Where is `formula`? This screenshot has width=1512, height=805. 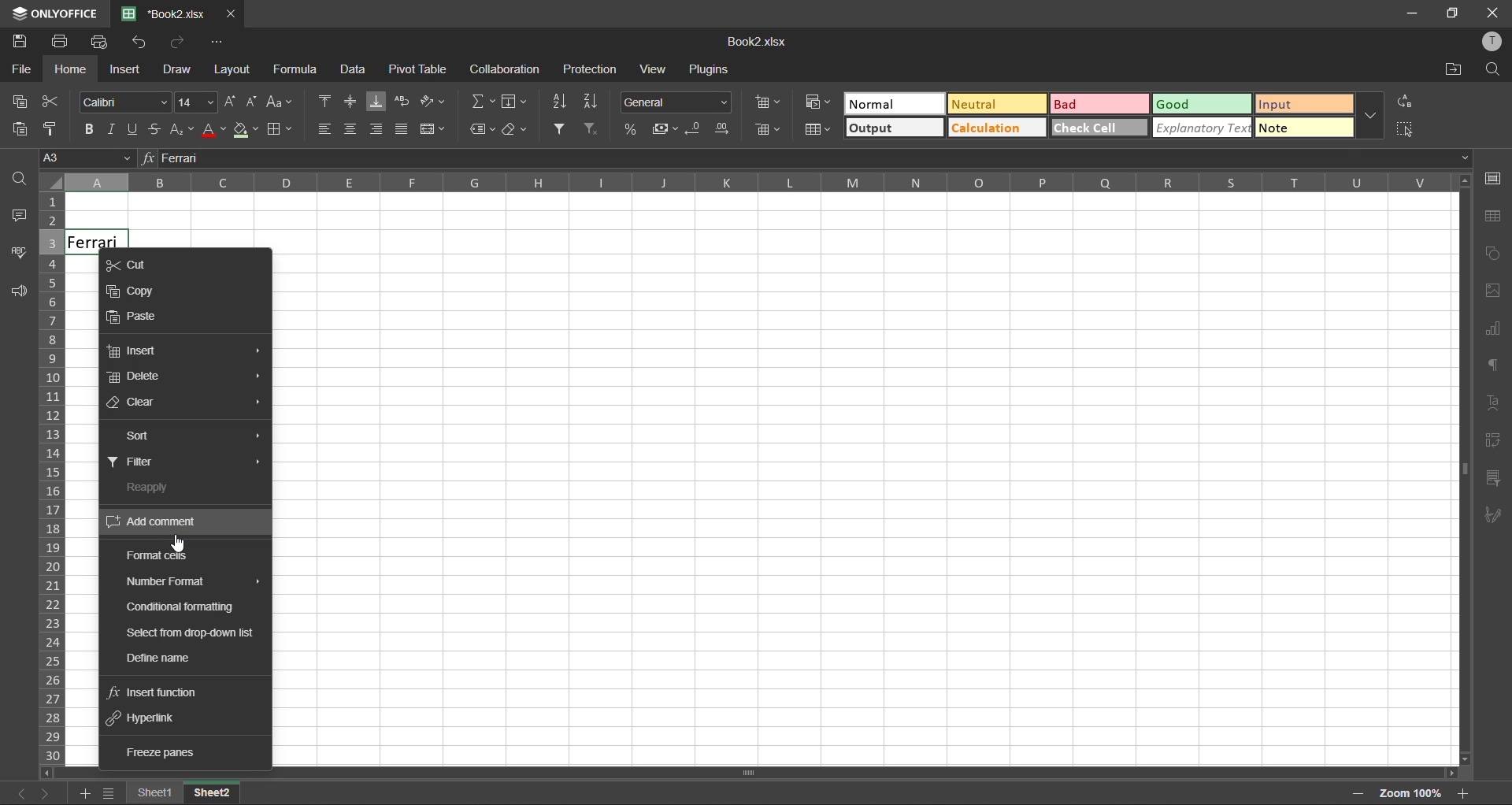
formula is located at coordinates (298, 72).